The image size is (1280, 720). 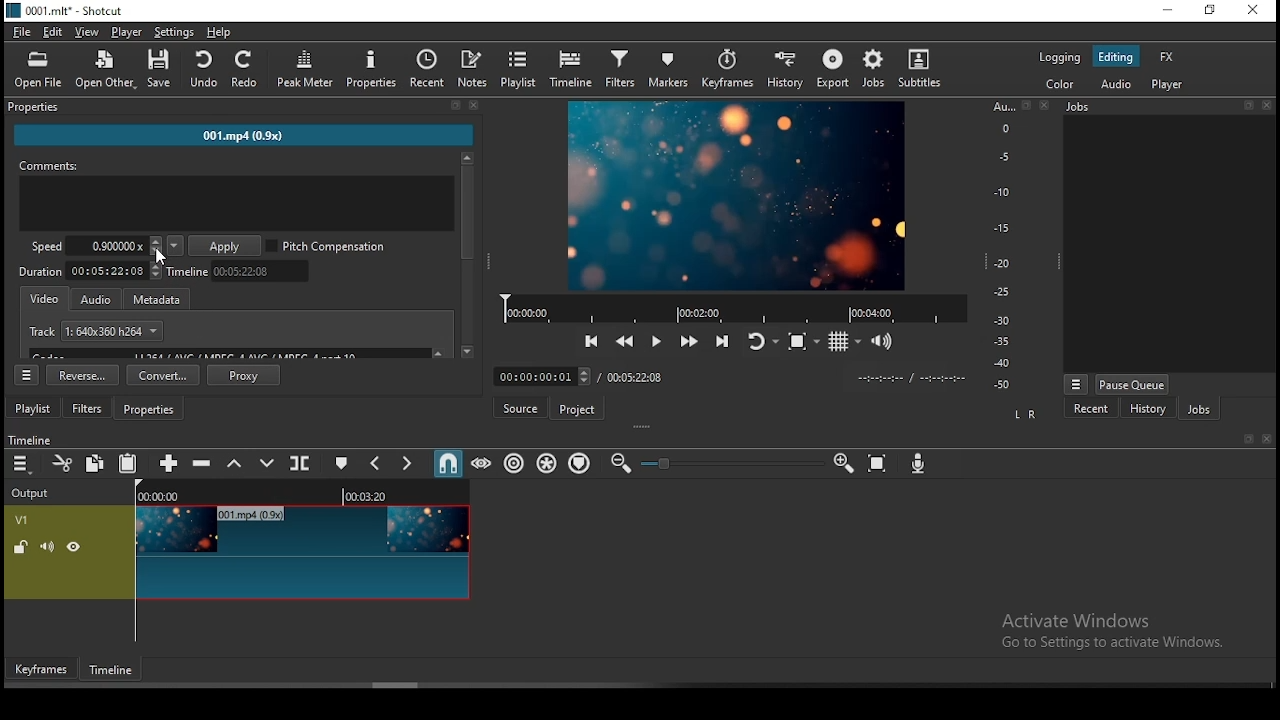 I want to click on output, so click(x=38, y=493).